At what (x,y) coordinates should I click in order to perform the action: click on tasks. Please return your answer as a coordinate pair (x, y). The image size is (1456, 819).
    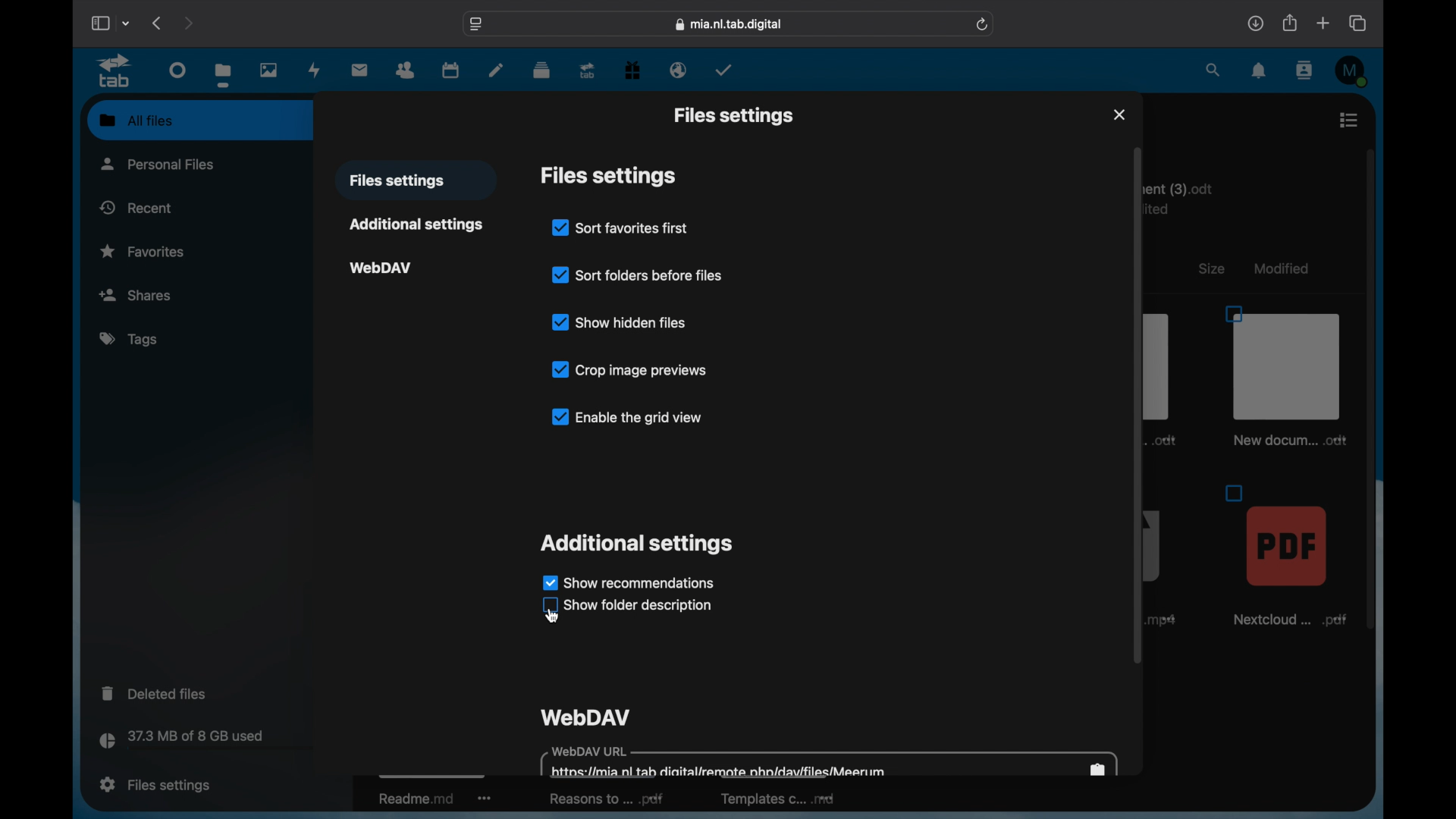
    Looking at the image, I should click on (723, 70).